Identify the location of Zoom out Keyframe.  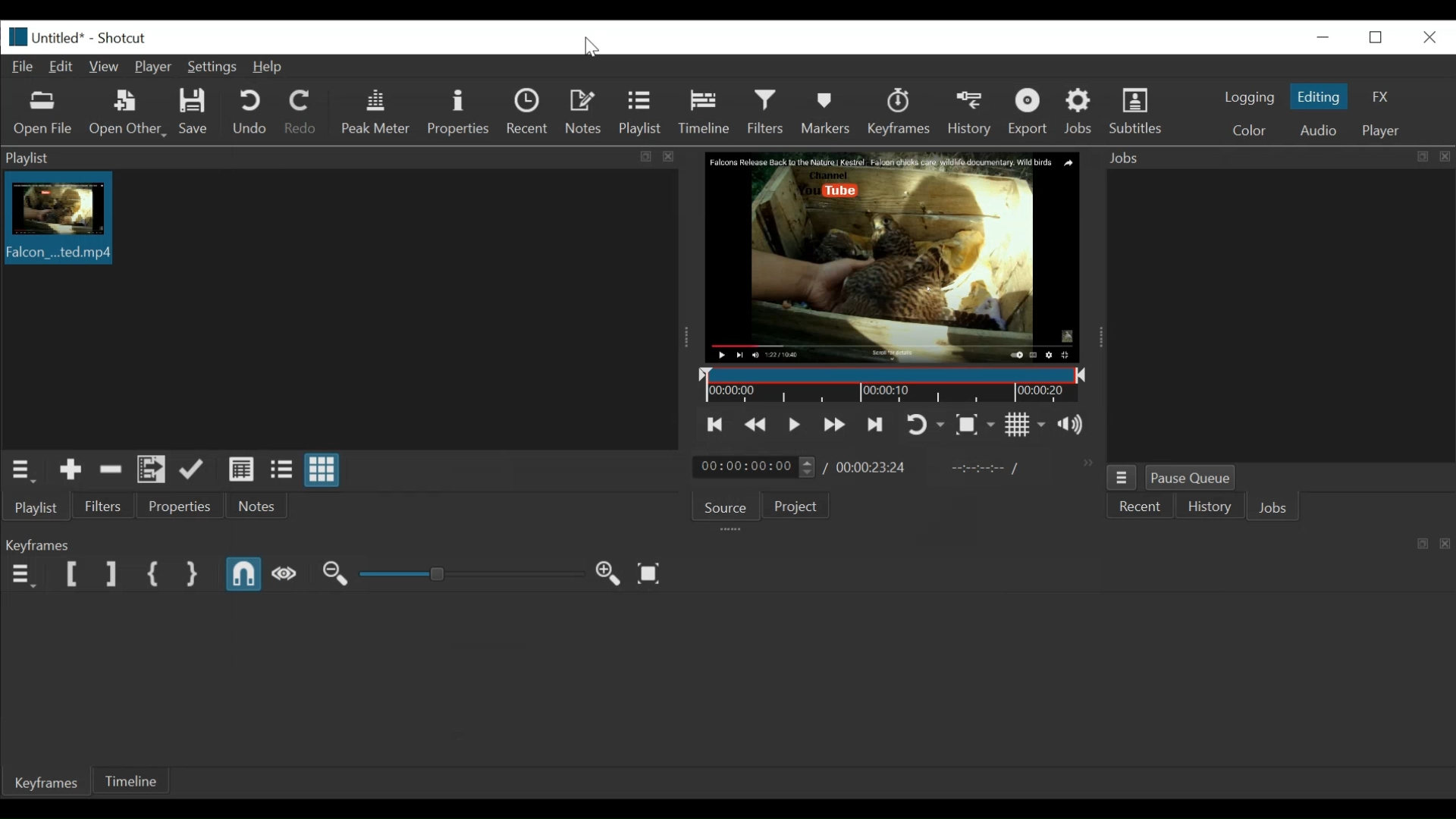
(336, 576).